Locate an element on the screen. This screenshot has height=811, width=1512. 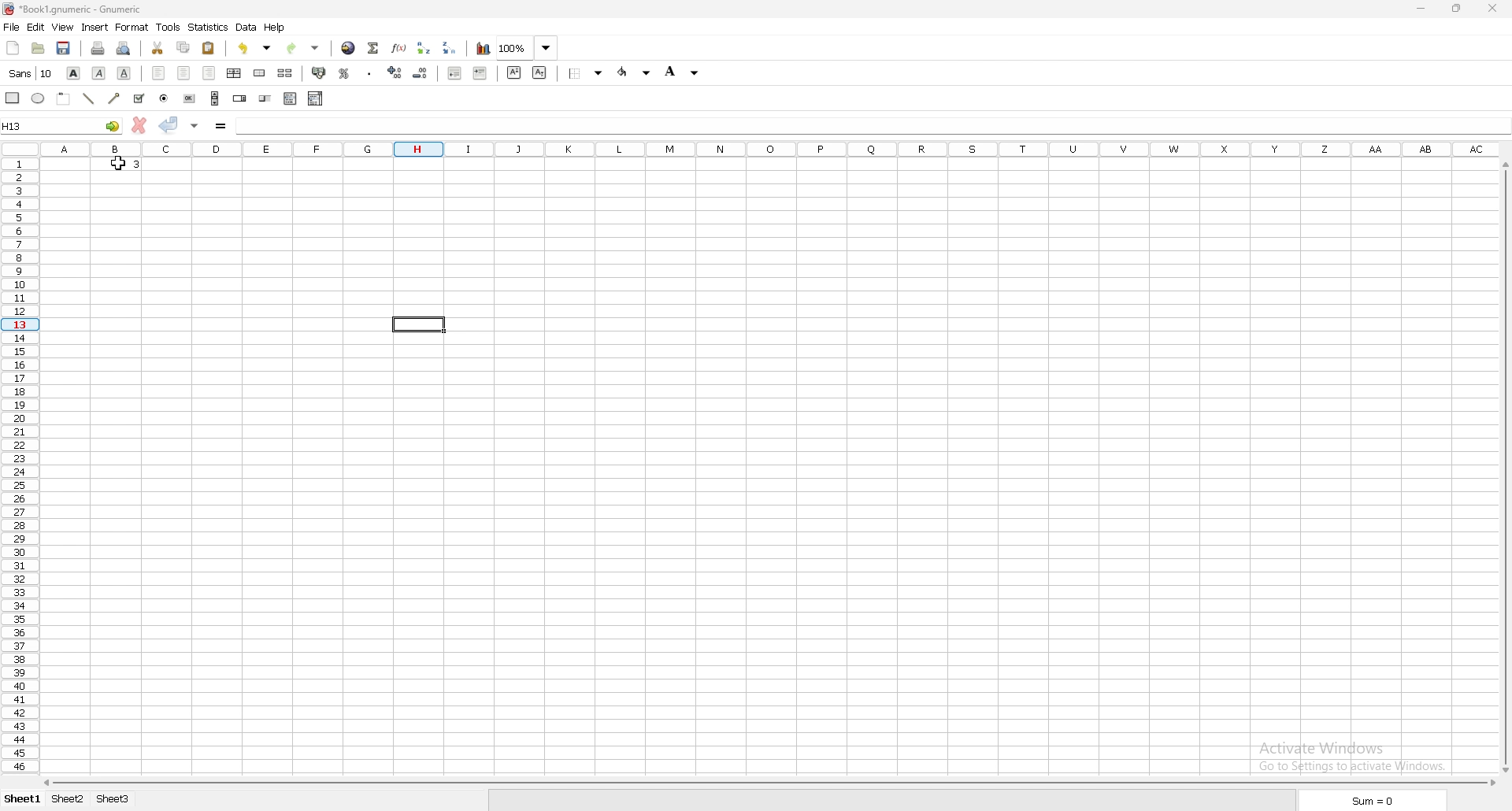
view is located at coordinates (63, 27).